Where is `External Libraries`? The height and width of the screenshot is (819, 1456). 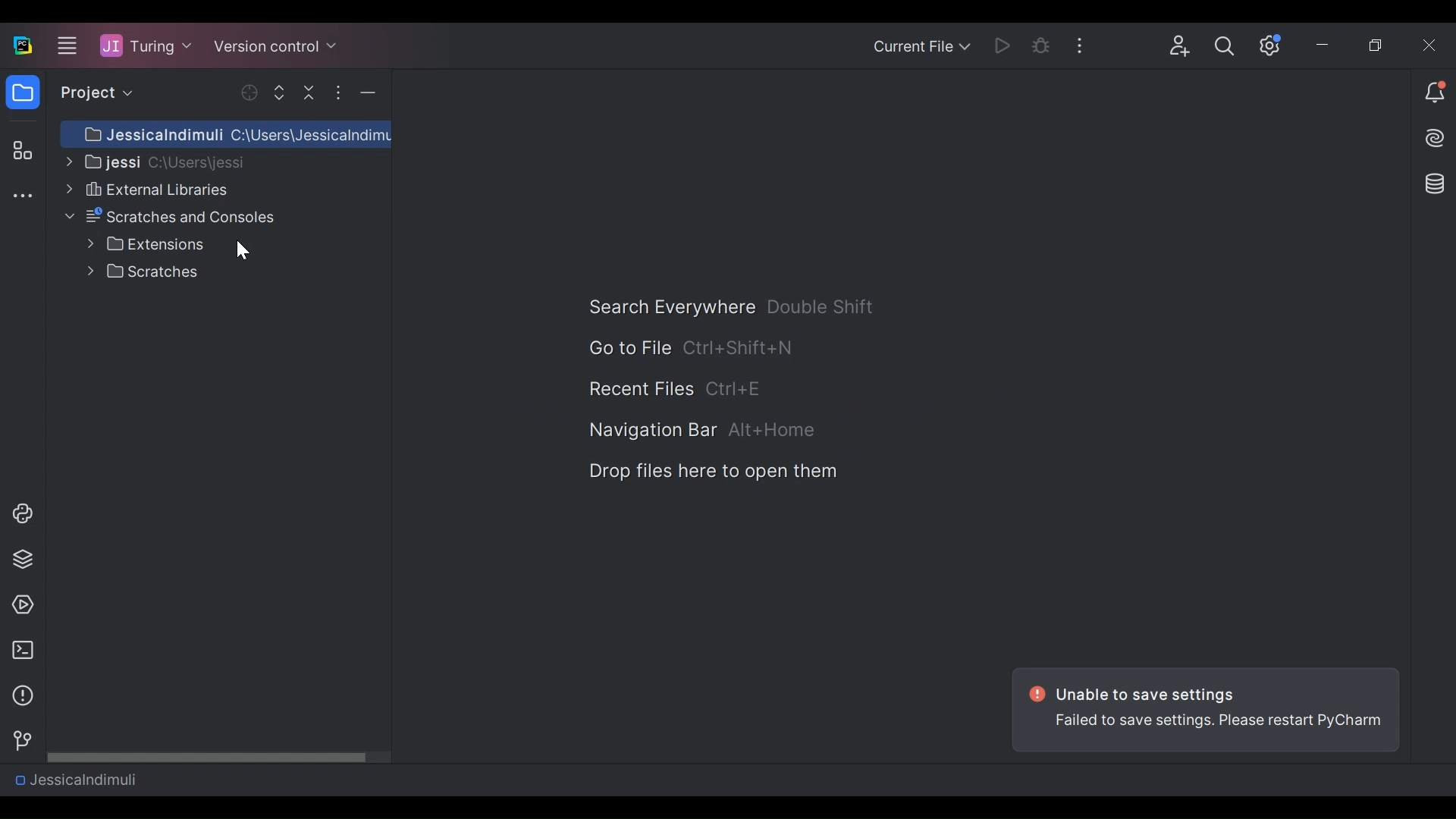 External Libraries is located at coordinates (145, 189).